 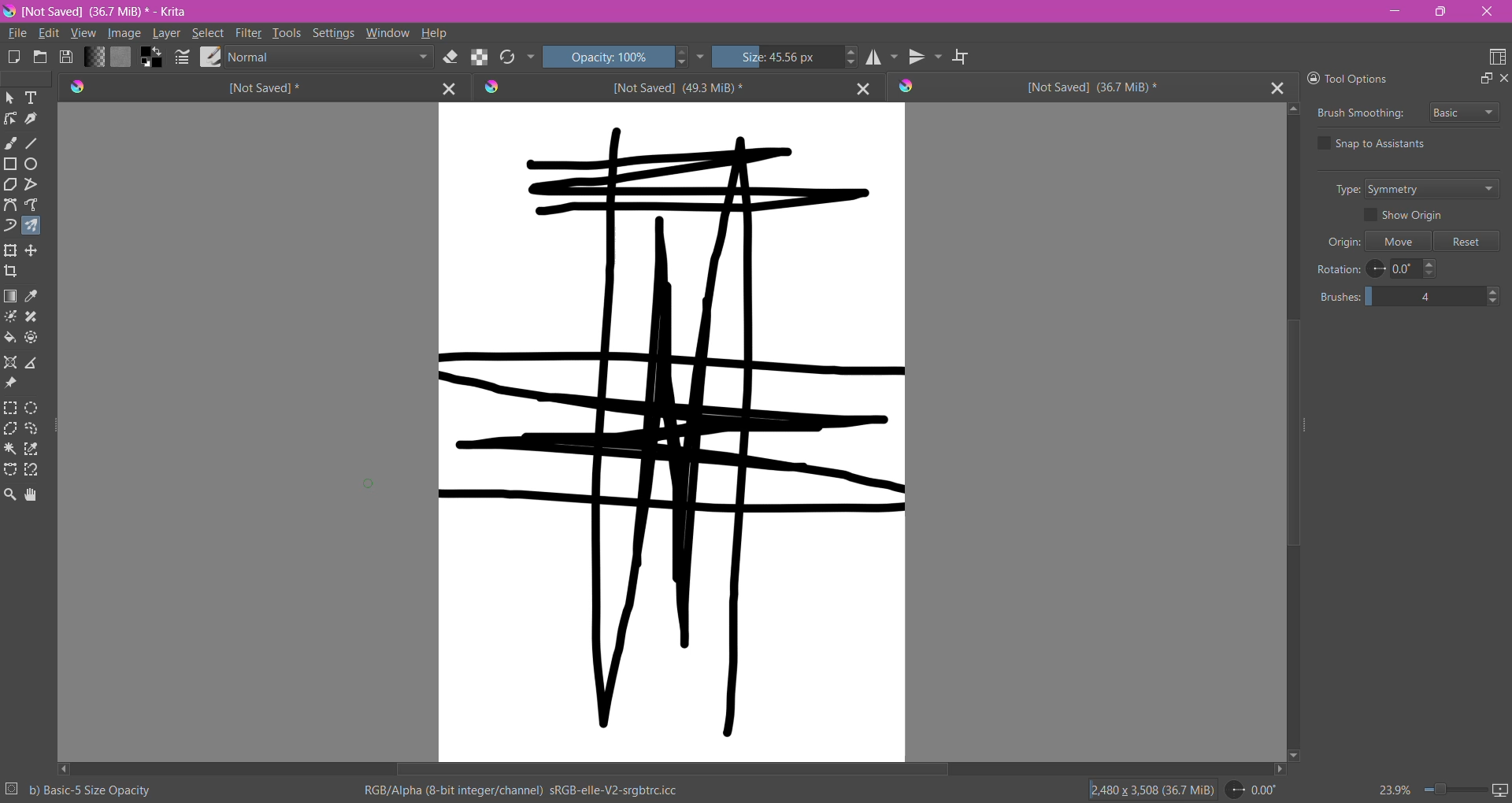 I want to click on Unsaved Document Tab1, so click(x=236, y=87).